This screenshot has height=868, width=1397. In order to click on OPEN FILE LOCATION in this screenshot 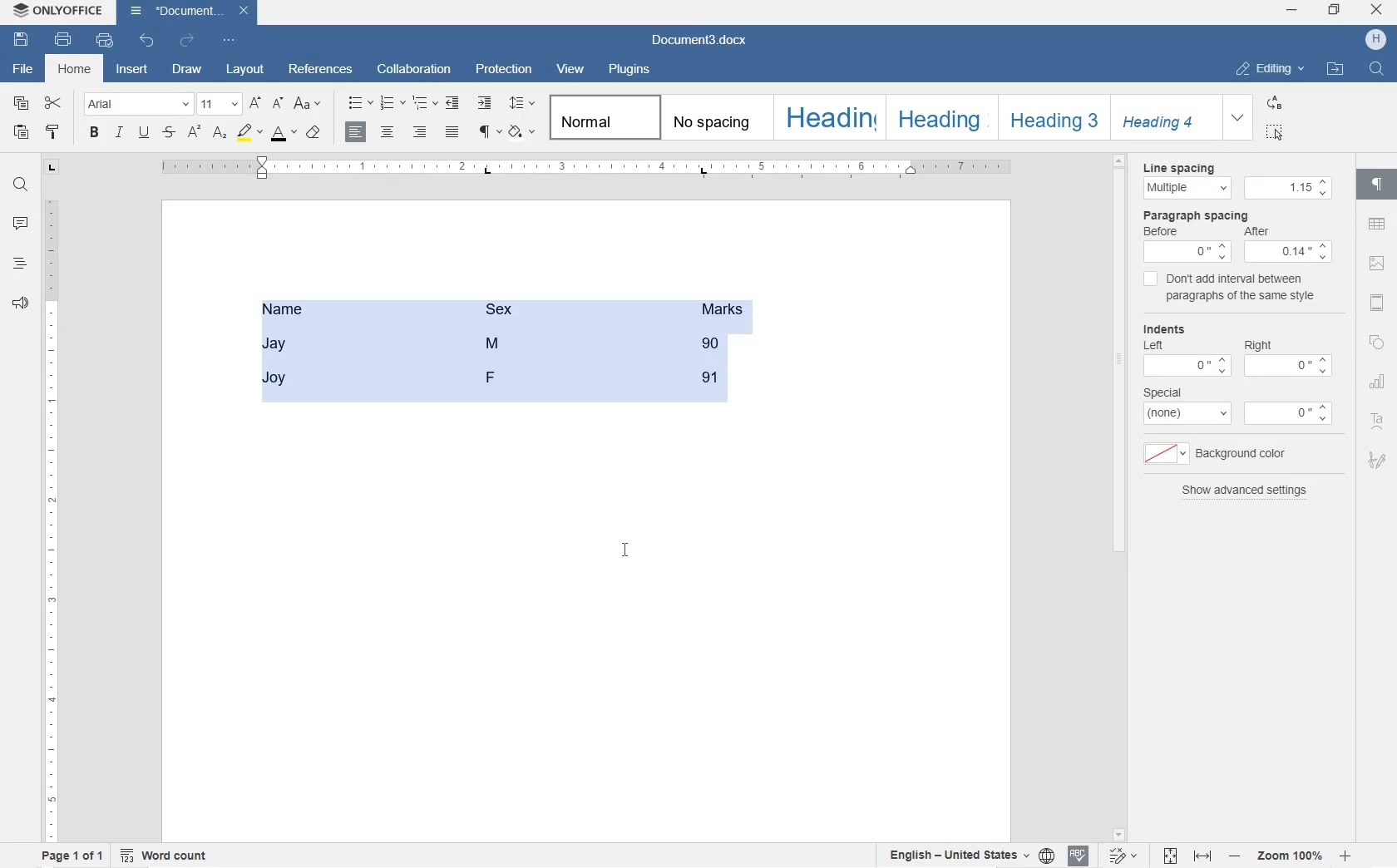, I will do `click(1333, 70)`.